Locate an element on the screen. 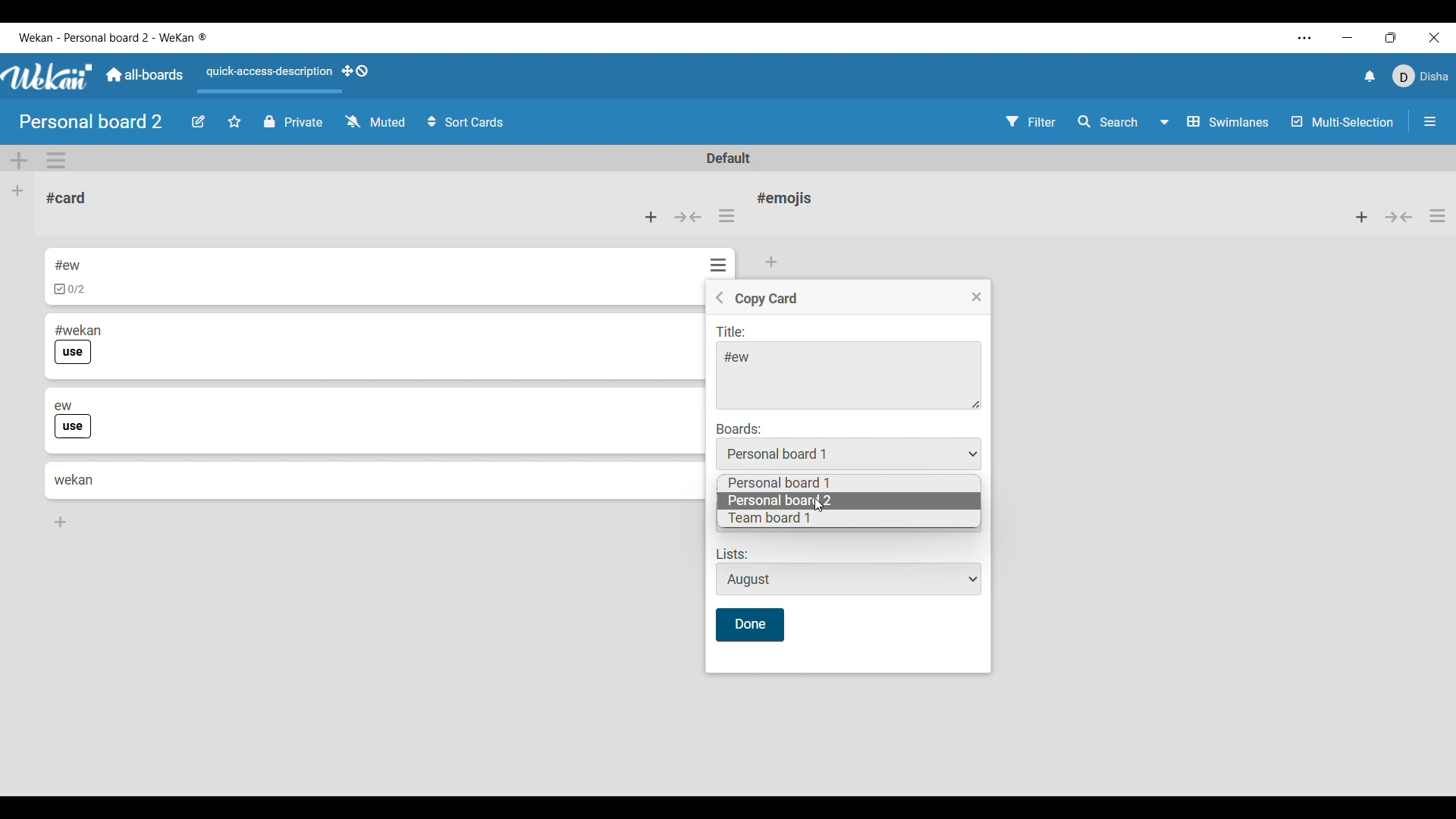  Change dimension of title menu is located at coordinates (977, 404).